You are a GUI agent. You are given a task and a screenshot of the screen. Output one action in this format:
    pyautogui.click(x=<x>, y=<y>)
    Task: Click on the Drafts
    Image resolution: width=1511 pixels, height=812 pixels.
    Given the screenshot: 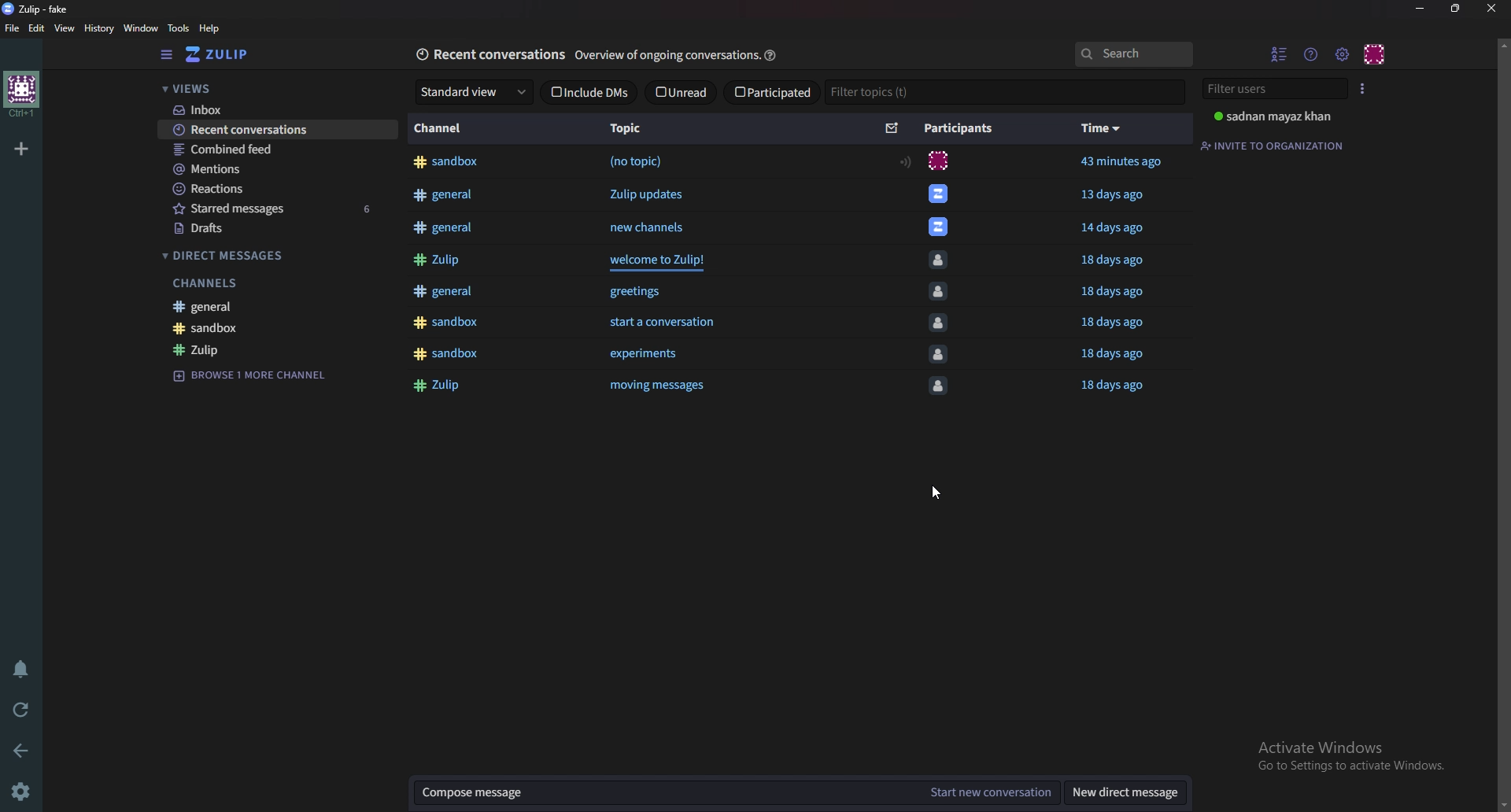 What is the action you would take?
    pyautogui.click(x=277, y=228)
    